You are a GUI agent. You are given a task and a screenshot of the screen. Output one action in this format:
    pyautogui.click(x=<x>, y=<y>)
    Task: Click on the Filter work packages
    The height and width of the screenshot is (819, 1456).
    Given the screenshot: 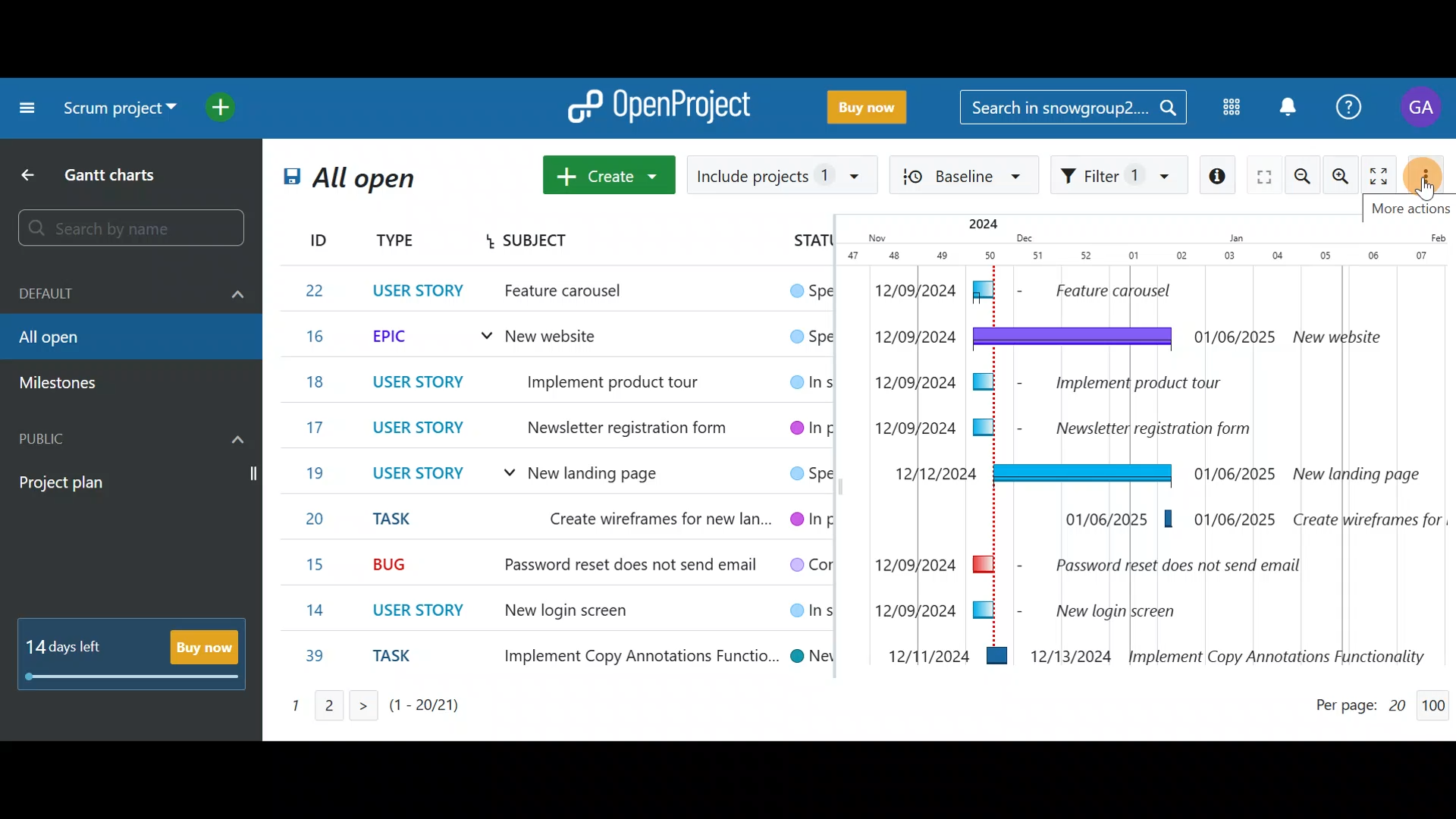 What is the action you would take?
    pyautogui.click(x=1119, y=177)
    